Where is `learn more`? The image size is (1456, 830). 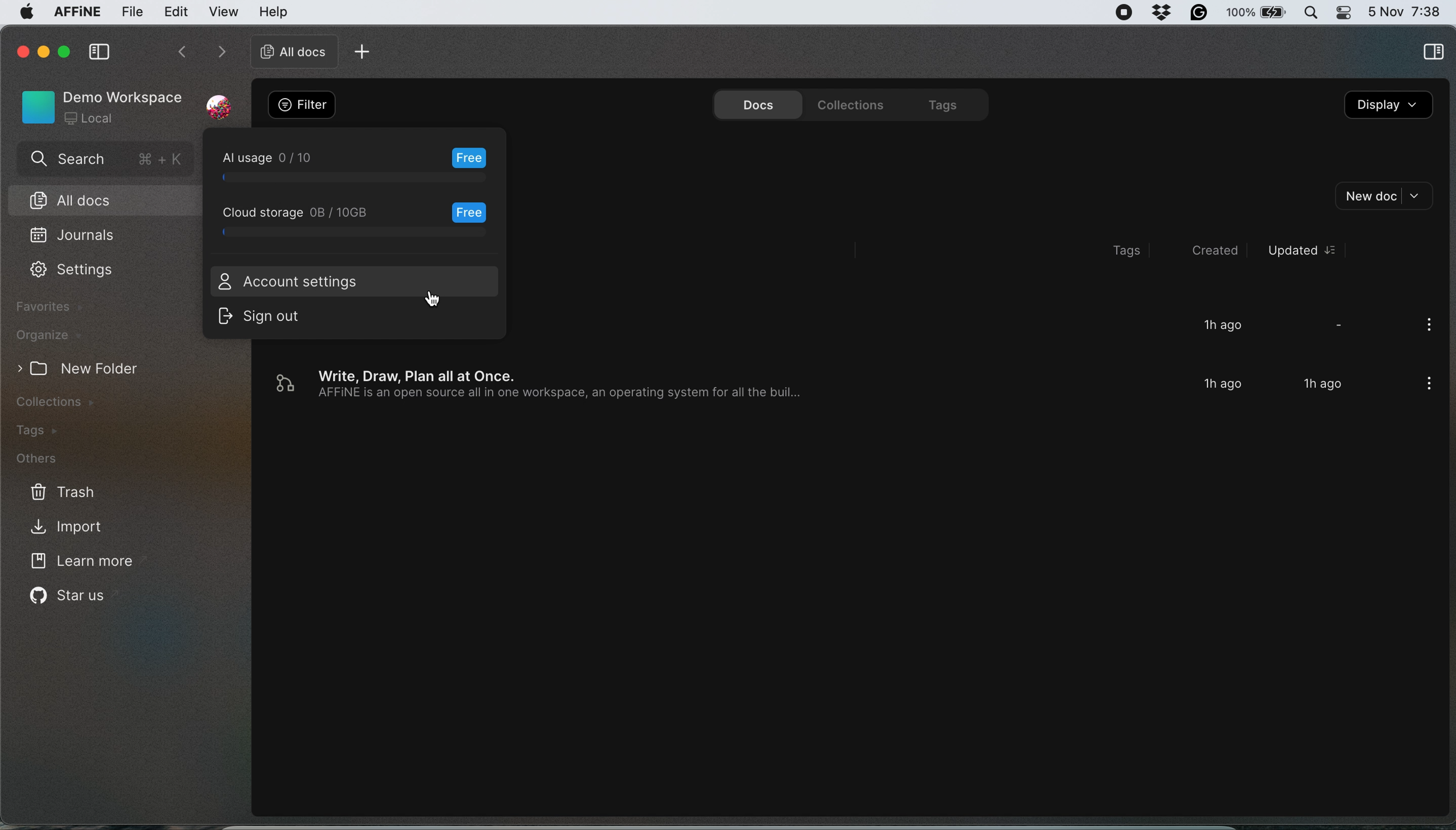
learn more is located at coordinates (86, 563).